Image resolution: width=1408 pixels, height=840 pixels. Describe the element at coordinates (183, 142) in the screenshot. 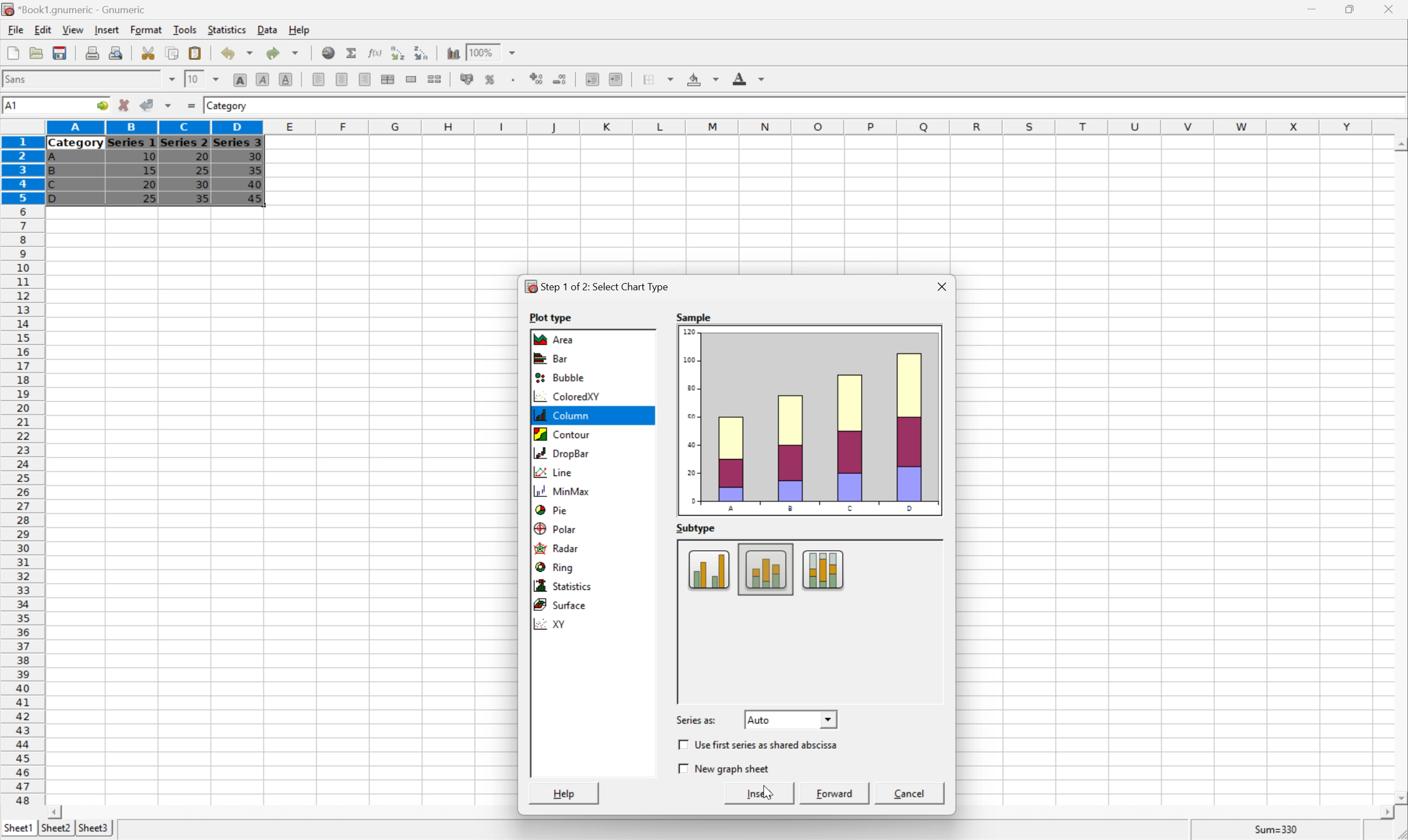

I see `Series 2` at that location.